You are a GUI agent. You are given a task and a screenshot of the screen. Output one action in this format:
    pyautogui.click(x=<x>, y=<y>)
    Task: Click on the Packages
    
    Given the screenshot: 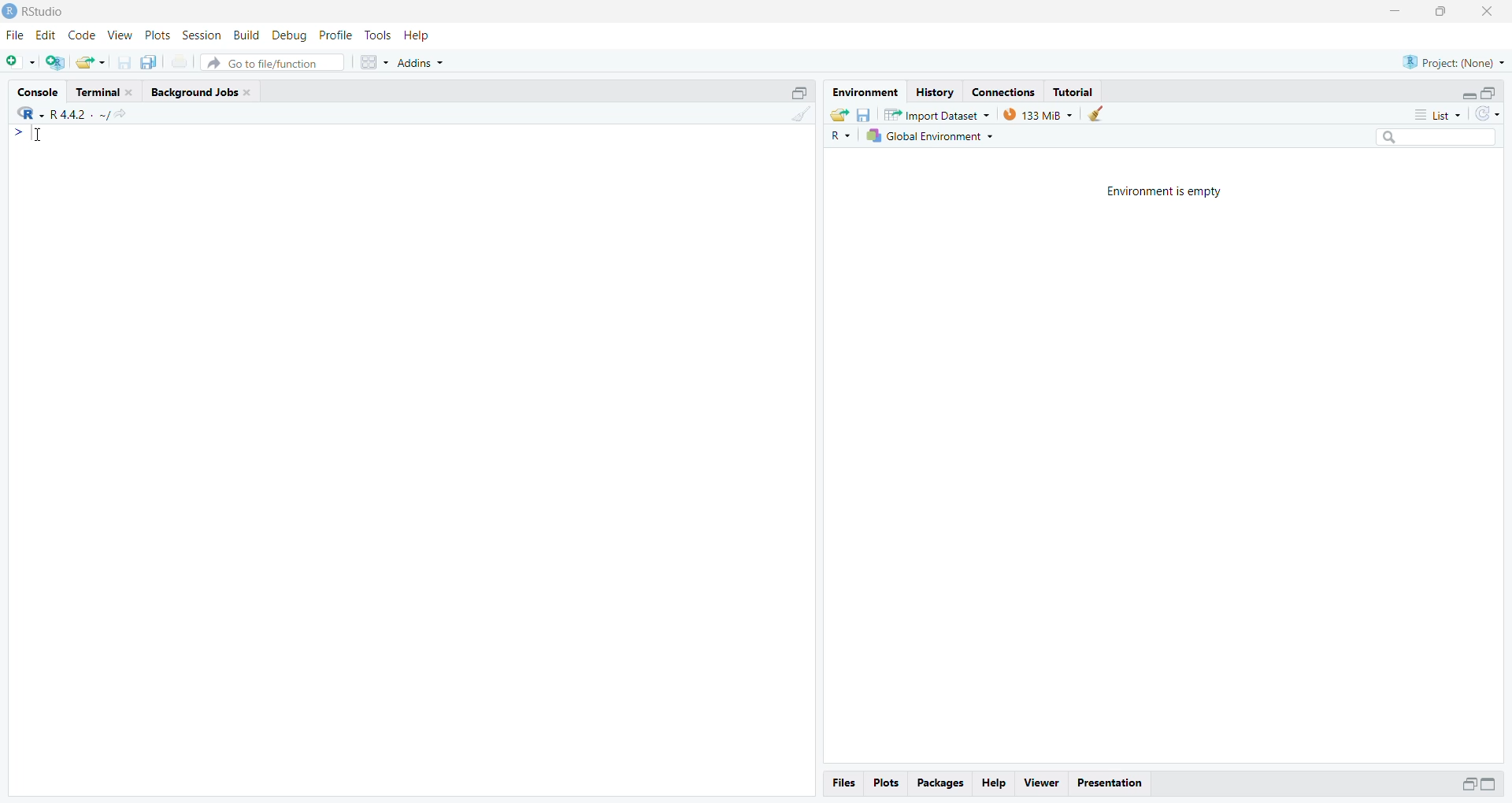 What is the action you would take?
    pyautogui.click(x=942, y=785)
    